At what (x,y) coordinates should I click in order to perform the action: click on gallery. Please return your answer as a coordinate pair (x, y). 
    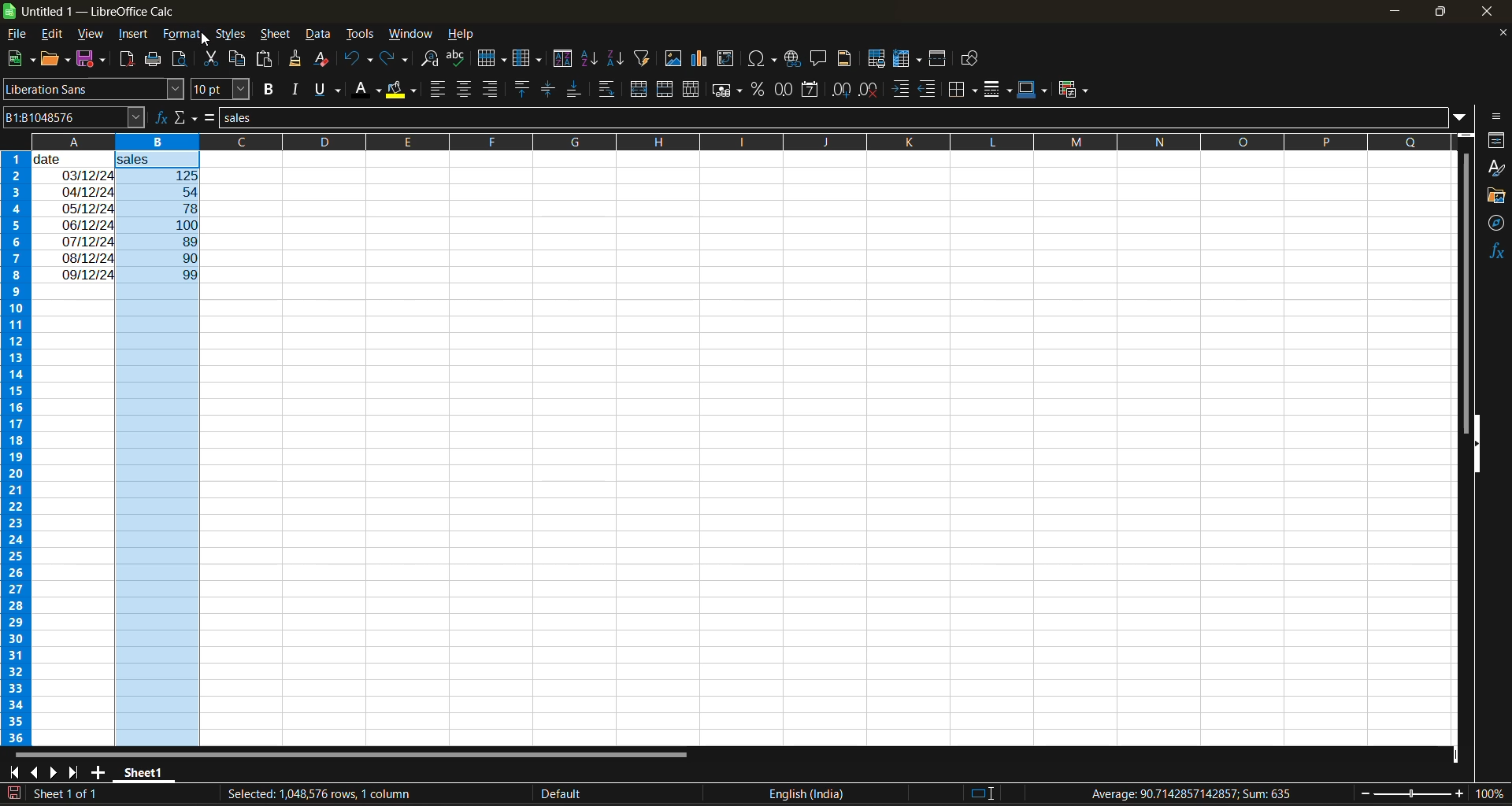
    Looking at the image, I should click on (1496, 196).